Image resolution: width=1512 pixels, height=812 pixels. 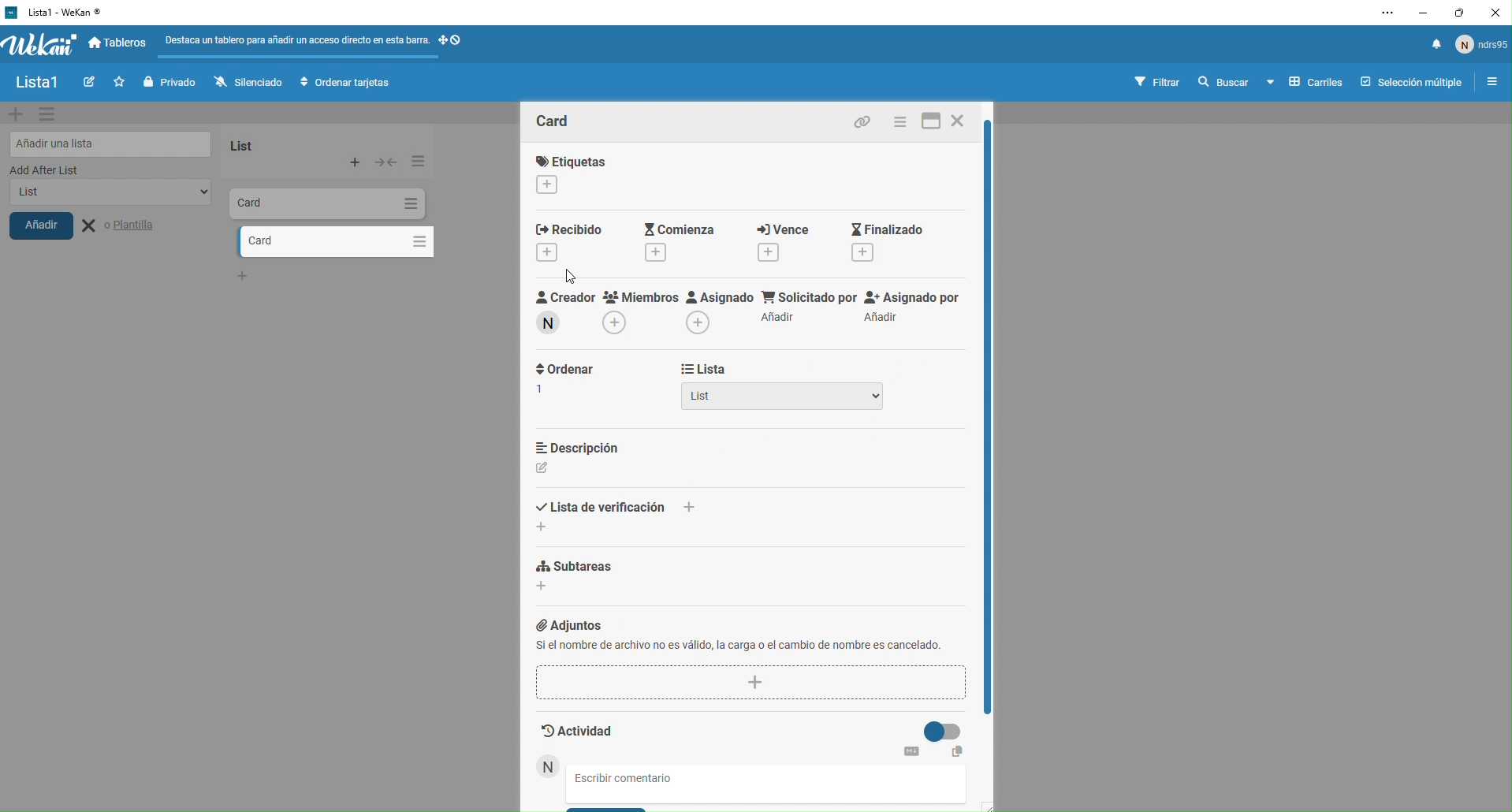 I want to click on menu, so click(x=901, y=121).